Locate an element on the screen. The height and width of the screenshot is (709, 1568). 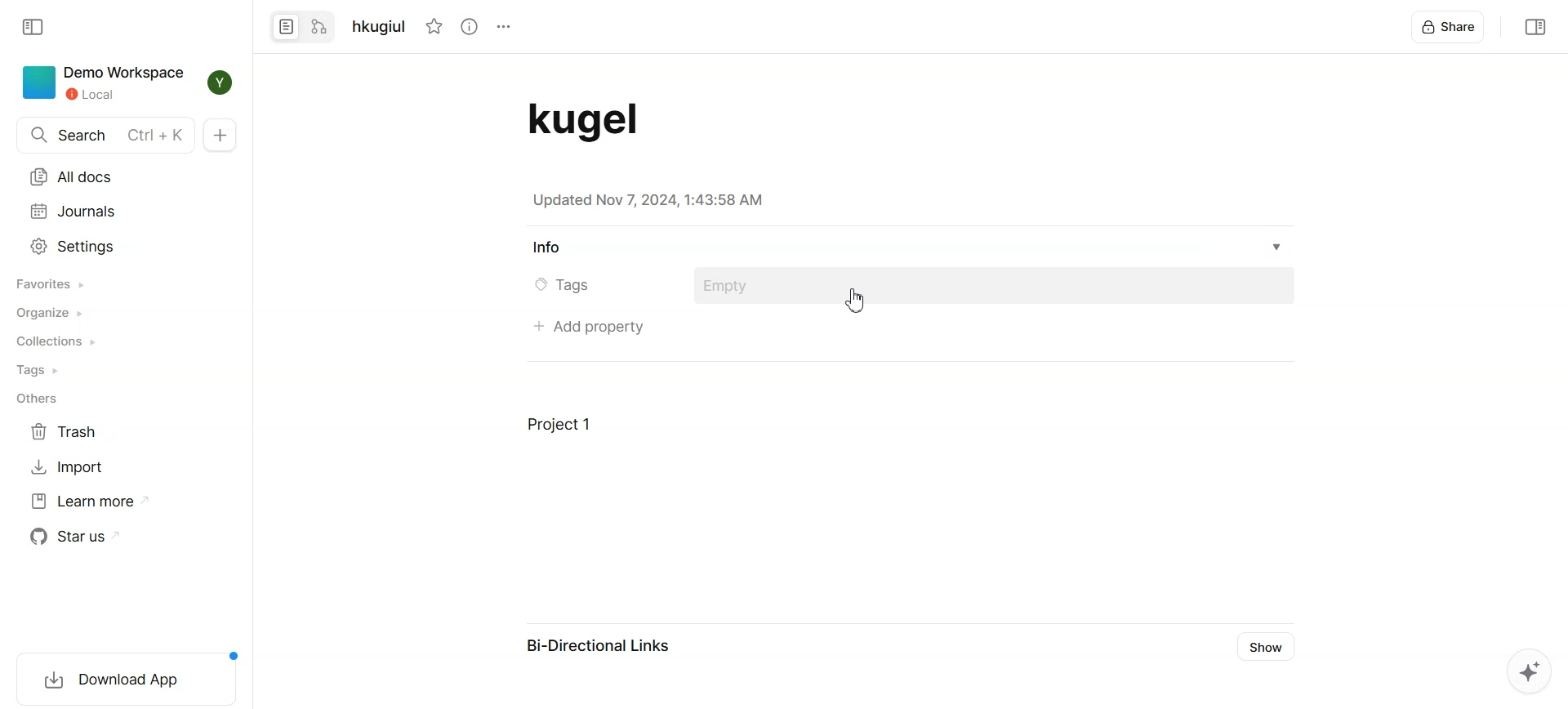
Collections is located at coordinates (55, 342).